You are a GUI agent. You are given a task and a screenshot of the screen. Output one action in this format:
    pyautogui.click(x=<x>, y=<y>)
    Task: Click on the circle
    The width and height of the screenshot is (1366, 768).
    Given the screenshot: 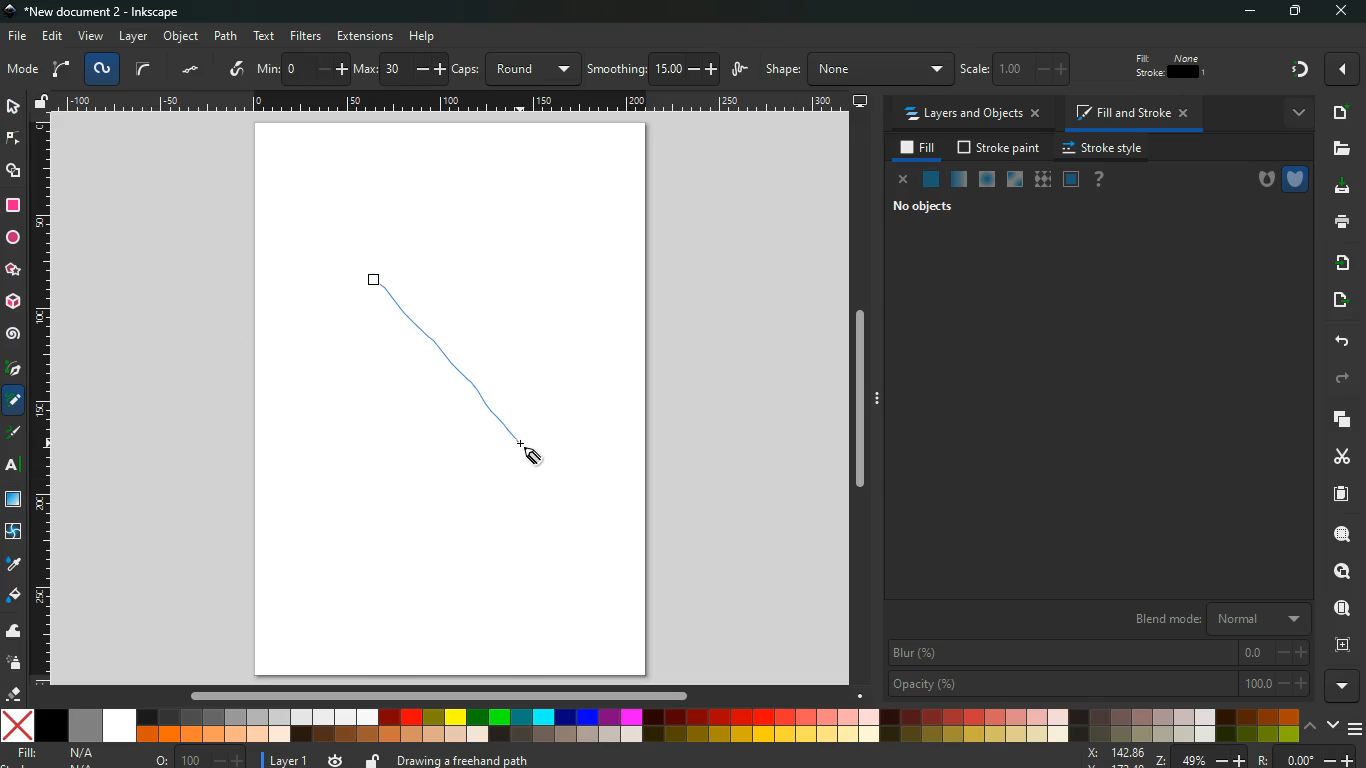 What is the action you would take?
    pyautogui.click(x=12, y=239)
    